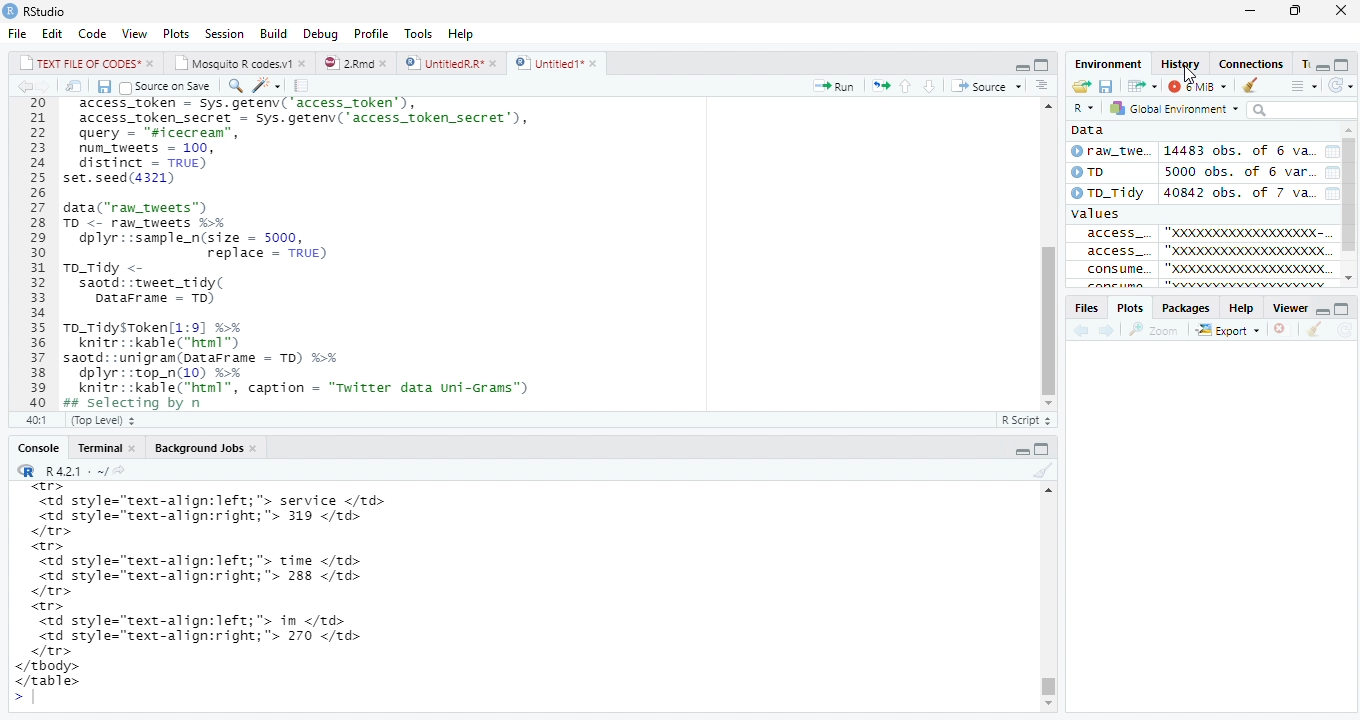 Image resolution: width=1360 pixels, height=720 pixels. I want to click on remove viewer, so click(1285, 330).